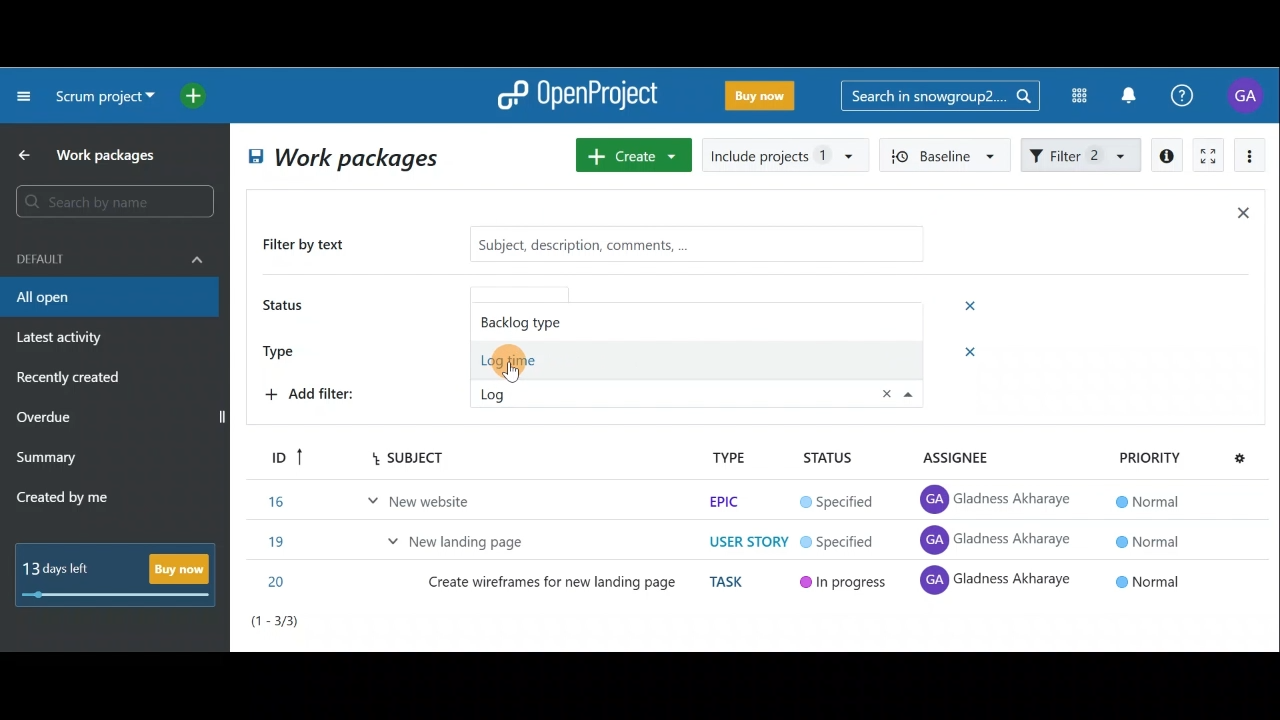 The image size is (1280, 720). I want to click on Buy now, so click(122, 574).